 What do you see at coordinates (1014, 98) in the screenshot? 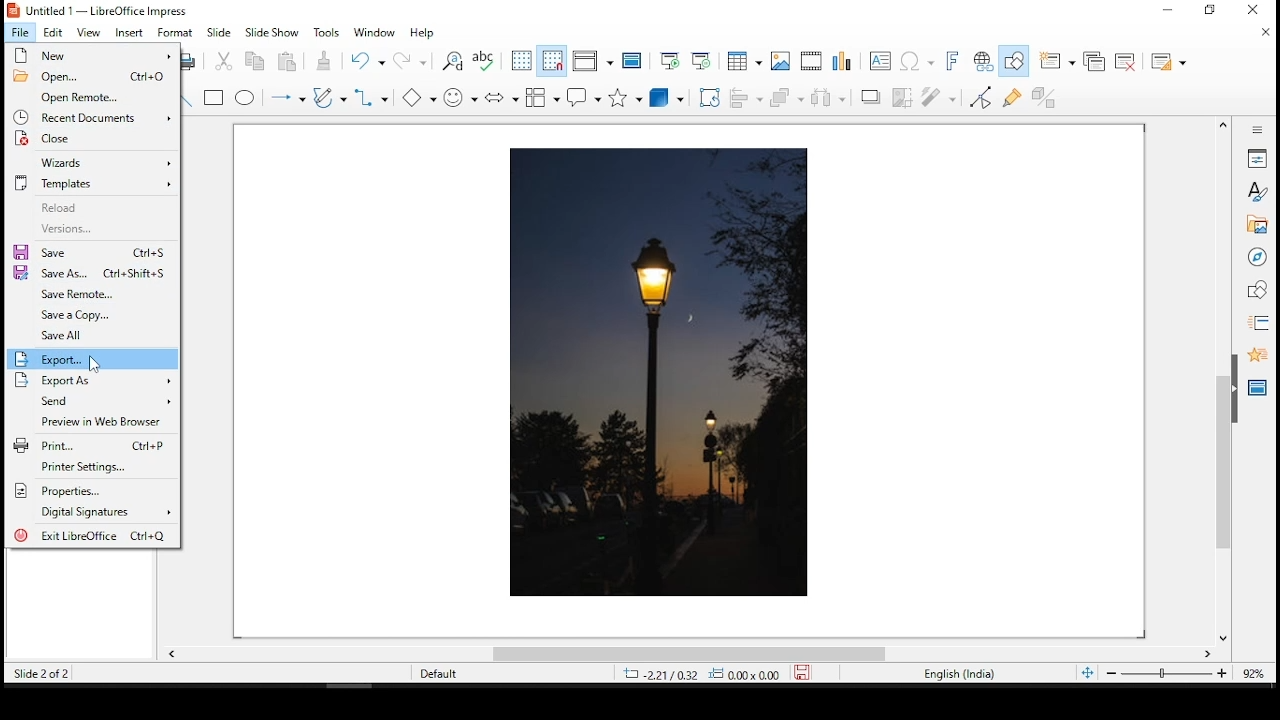
I see `show gluepoint functions` at bounding box center [1014, 98].